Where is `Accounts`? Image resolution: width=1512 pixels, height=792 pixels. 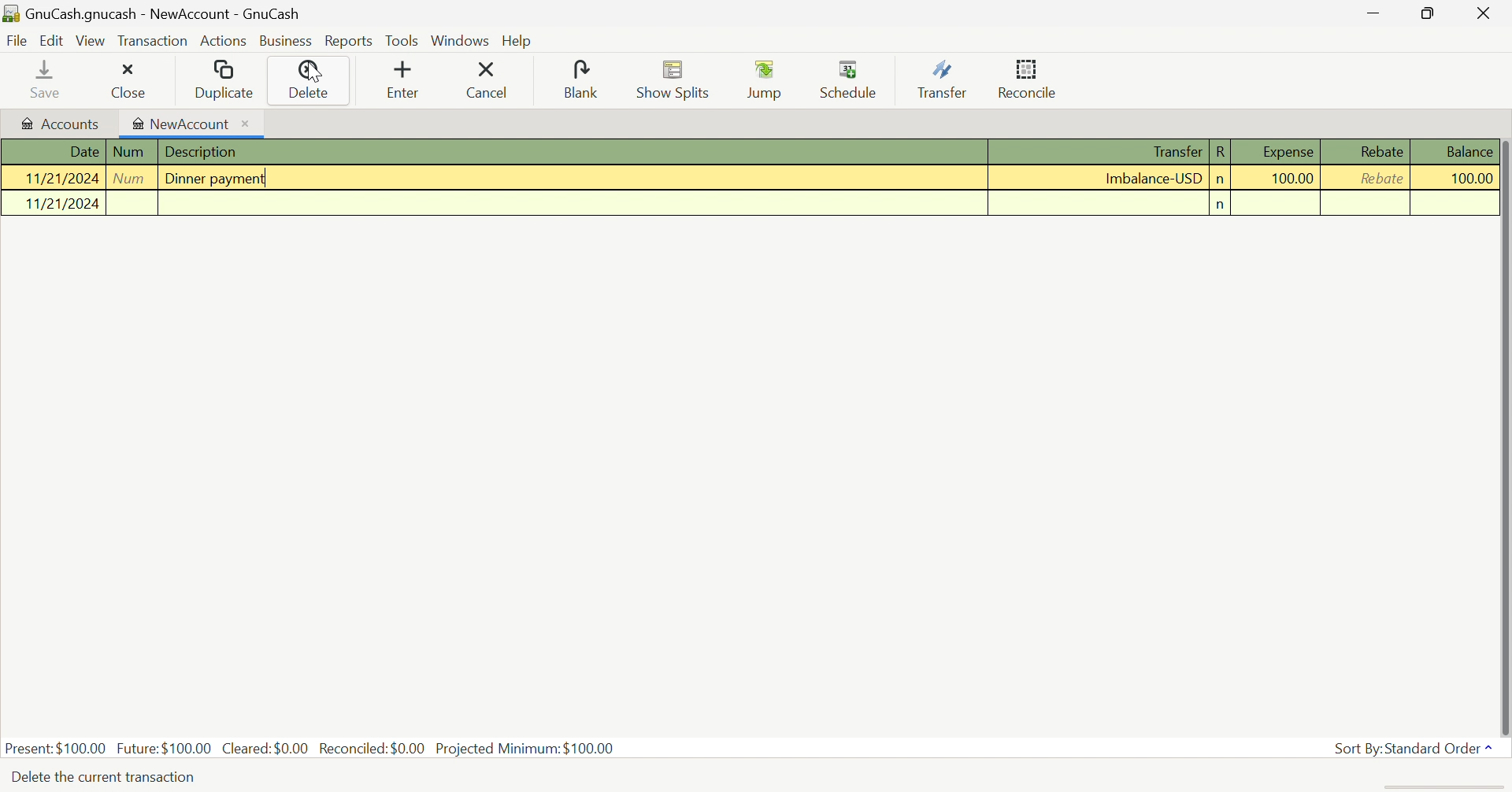
Accounts is located at coordinates (62, 126).